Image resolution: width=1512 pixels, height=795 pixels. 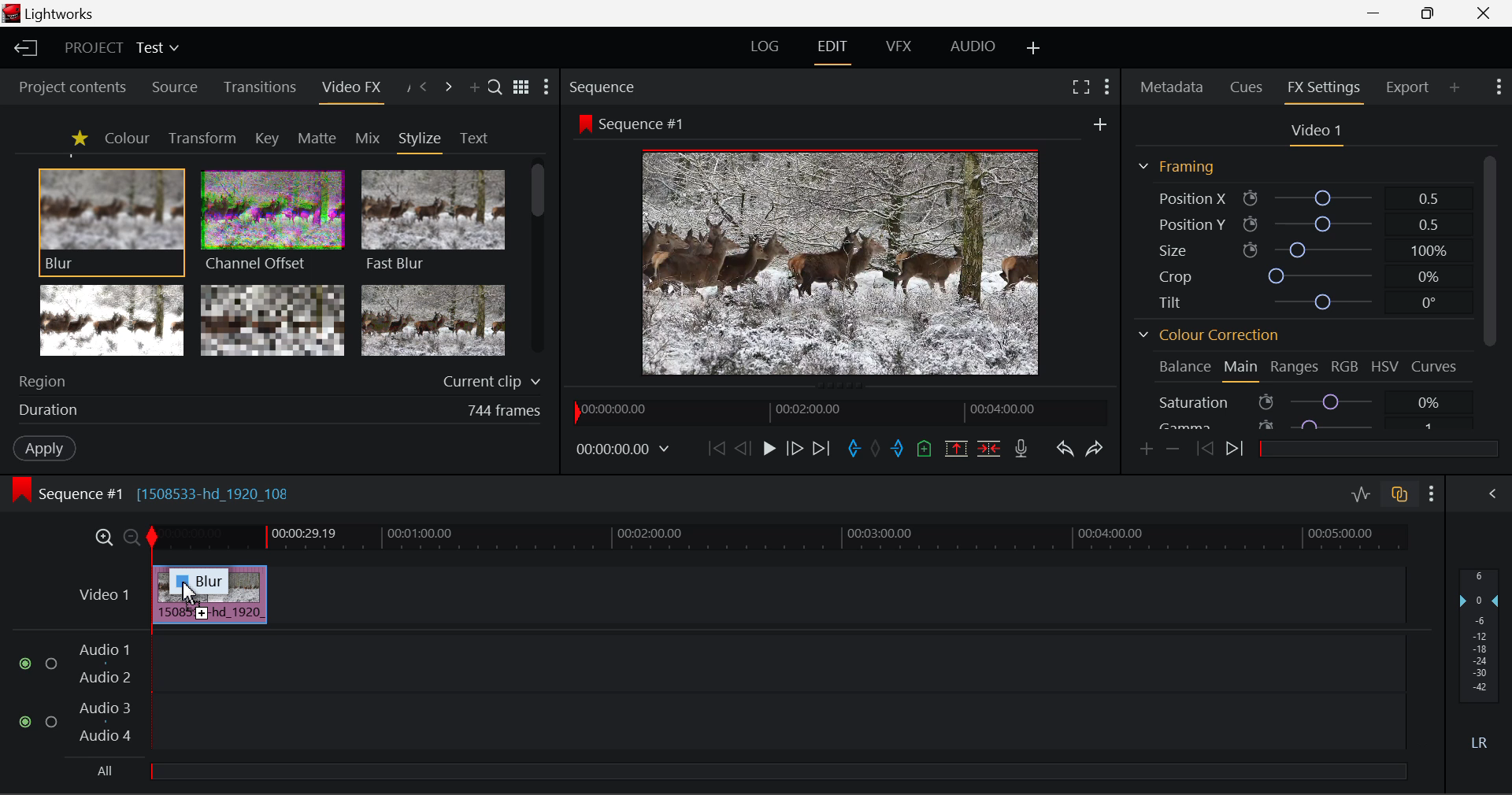 What do you see at coordinates (779, 538) in the screenshot?
I see `Project Timeline` at bounding box center [779, 538].